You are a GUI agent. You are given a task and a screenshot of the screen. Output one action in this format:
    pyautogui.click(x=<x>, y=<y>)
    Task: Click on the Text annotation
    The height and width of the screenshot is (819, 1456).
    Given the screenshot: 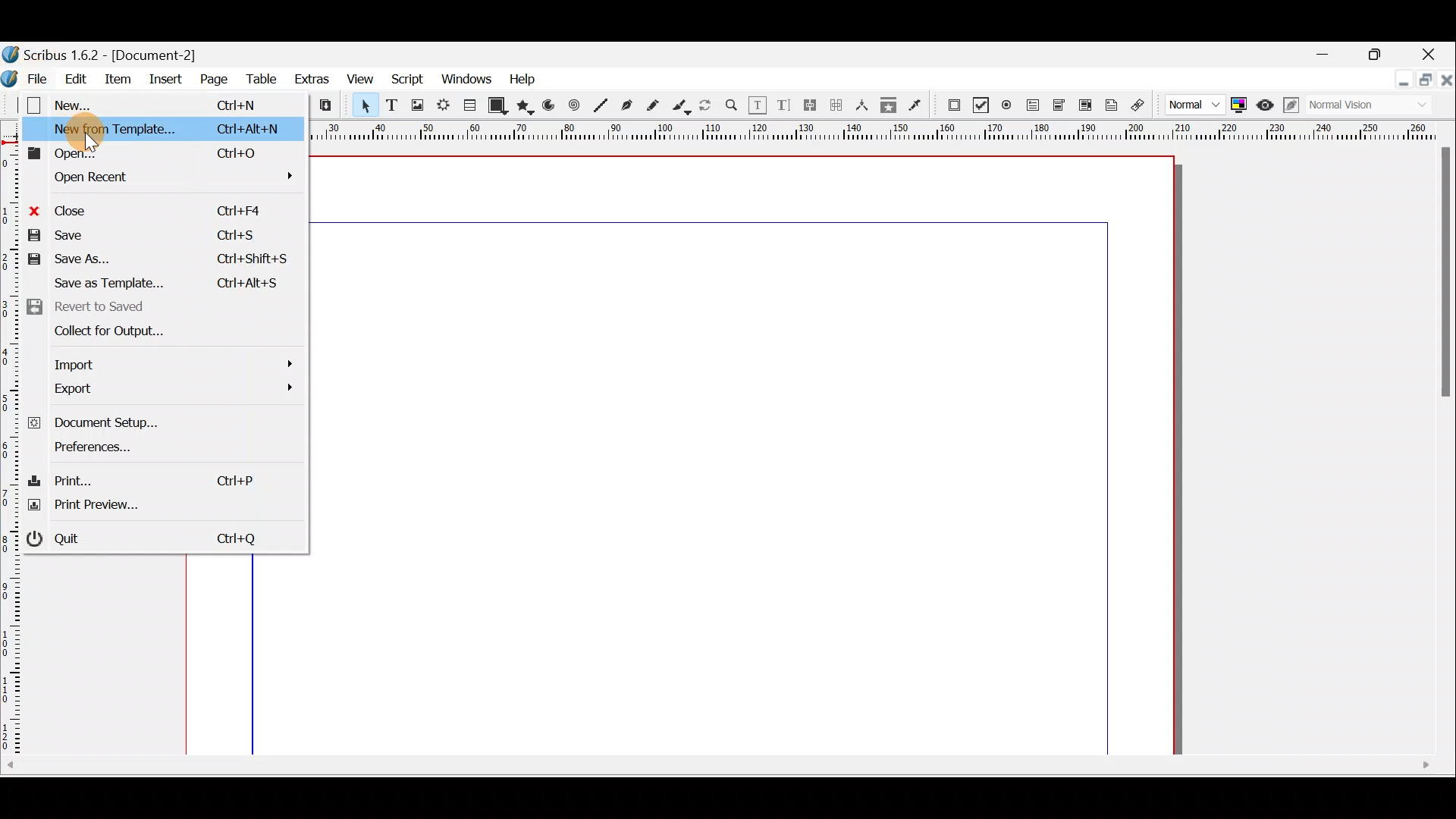 What is the action you would take?
    pyautogui.click(x=1110, y=106)
    